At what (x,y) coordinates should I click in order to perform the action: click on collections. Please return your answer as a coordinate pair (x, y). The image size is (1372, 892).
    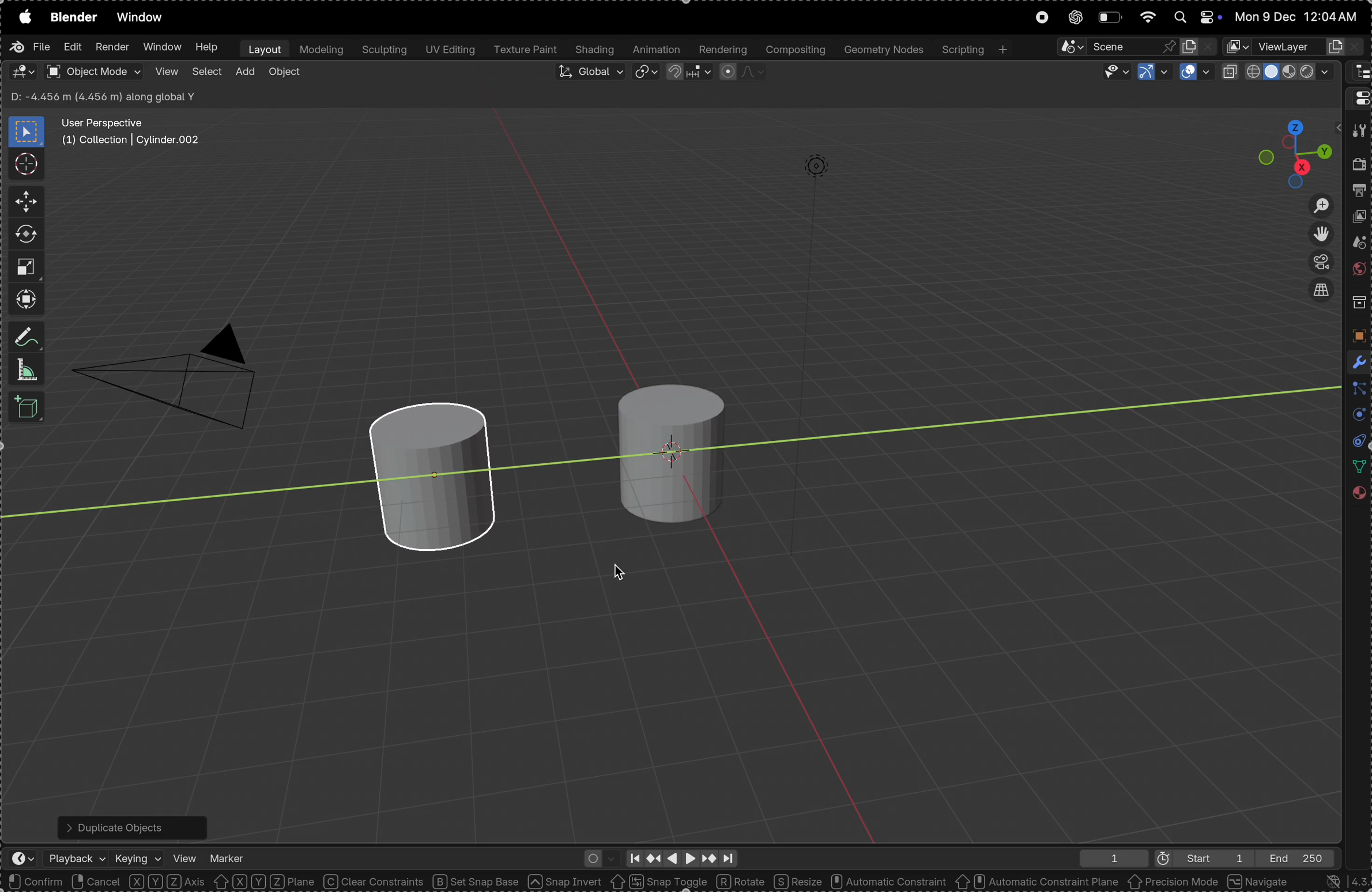
    Looking at the image, I should click on (1358, 303).